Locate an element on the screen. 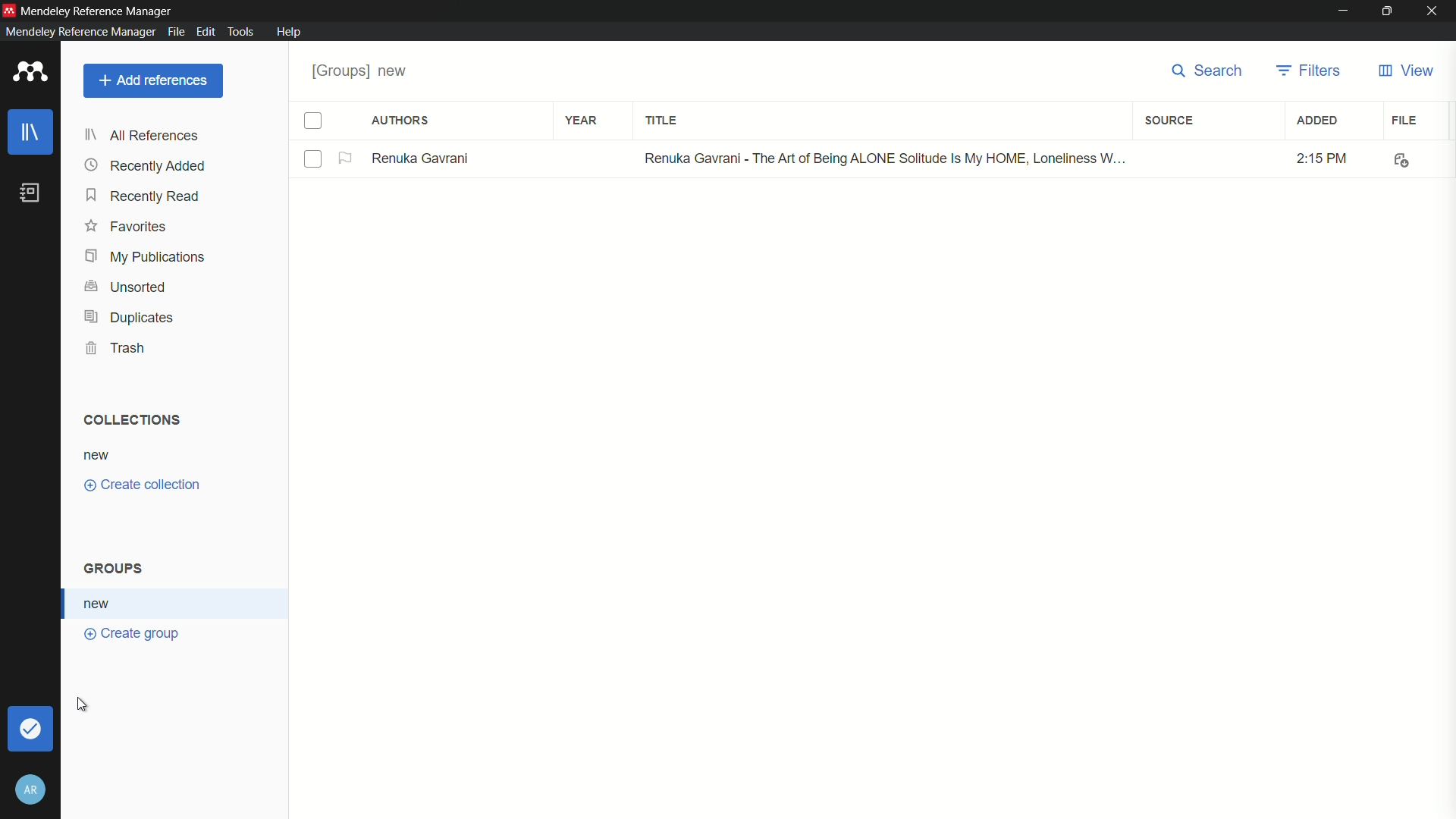 Image resolution: width=1456 pixels, height=819 pixels. recently read is located at coordinates (143, 196).